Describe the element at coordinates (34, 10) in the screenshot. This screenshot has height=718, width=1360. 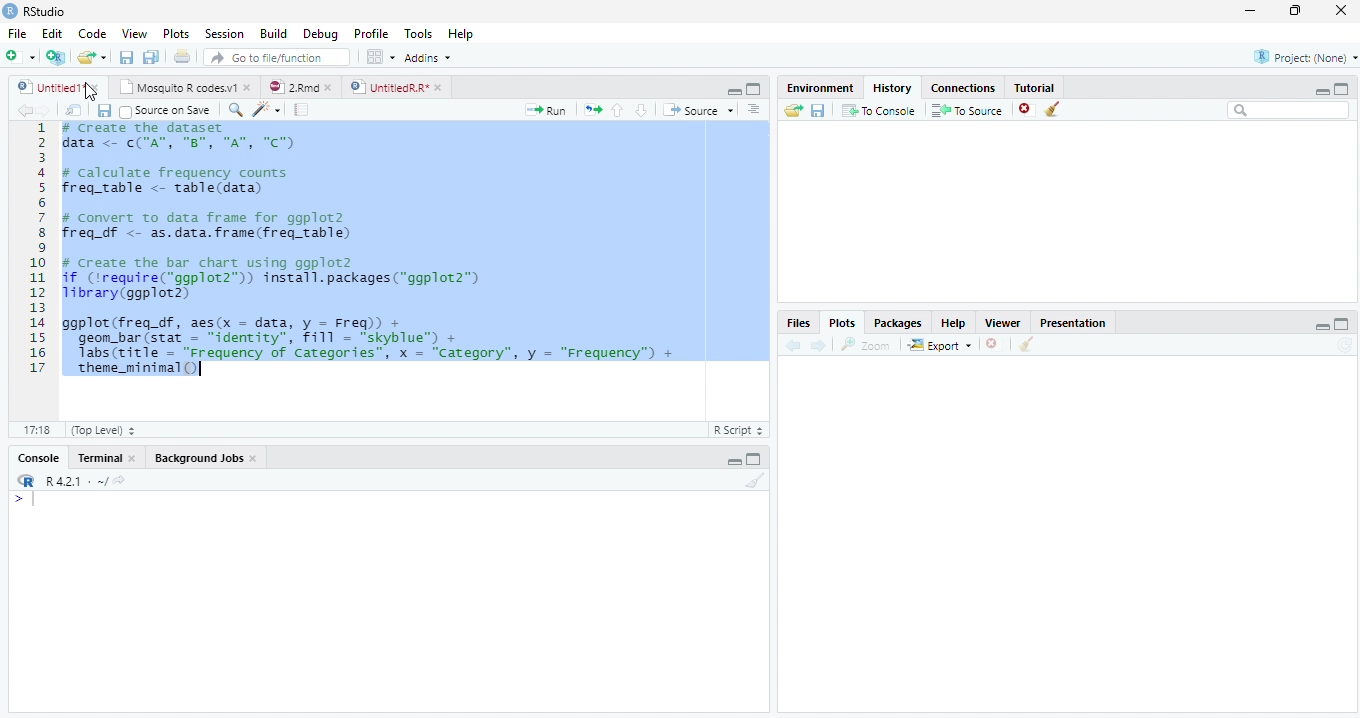
I see `Rstudio` at that location.